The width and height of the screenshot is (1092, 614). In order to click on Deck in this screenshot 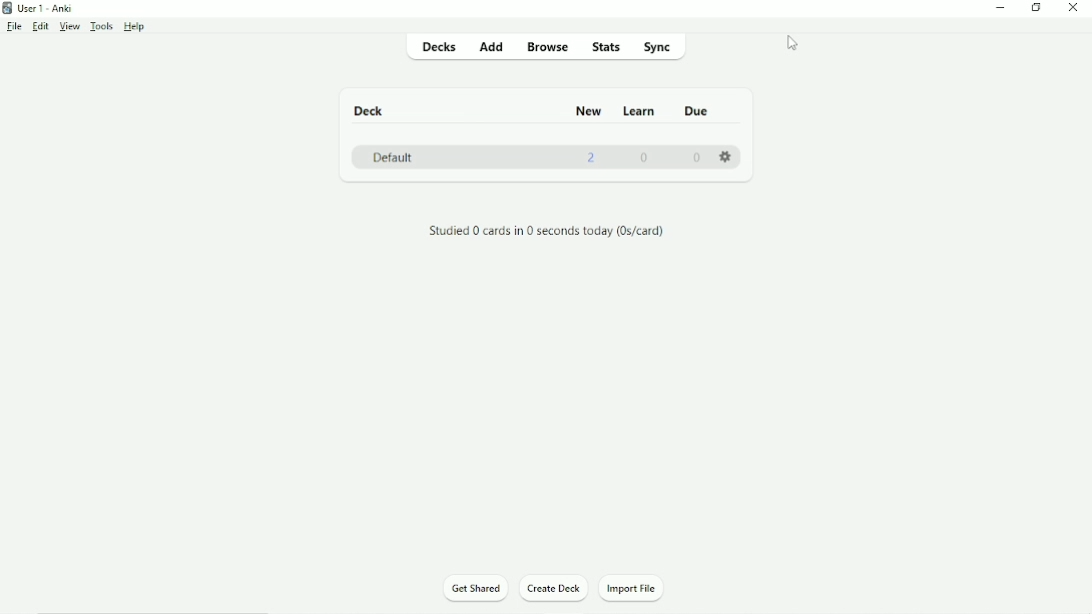, I will do `click(372, 111)`.